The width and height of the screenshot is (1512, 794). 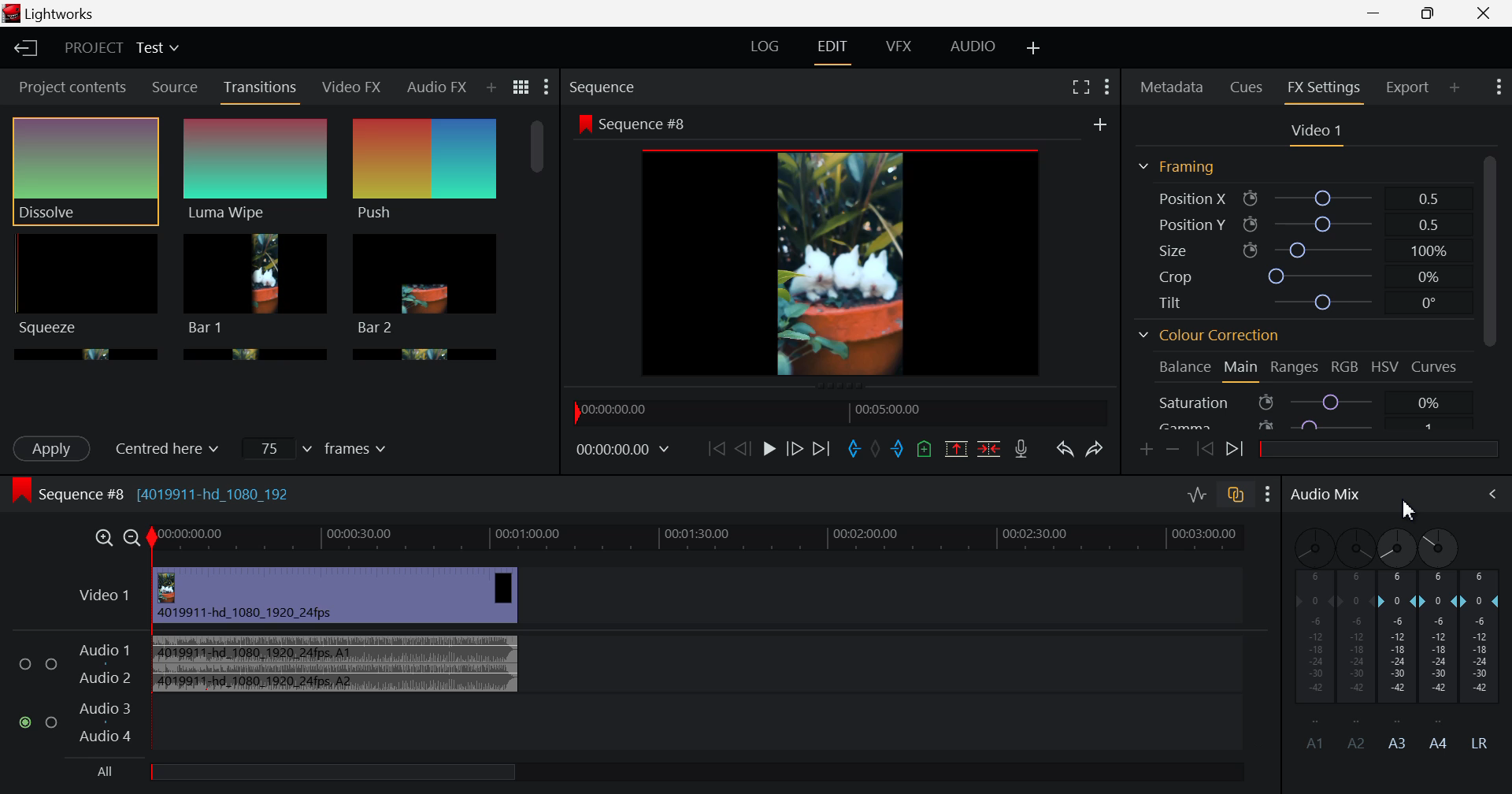 I want to click on Saturation, so click(x=1303, y=402).